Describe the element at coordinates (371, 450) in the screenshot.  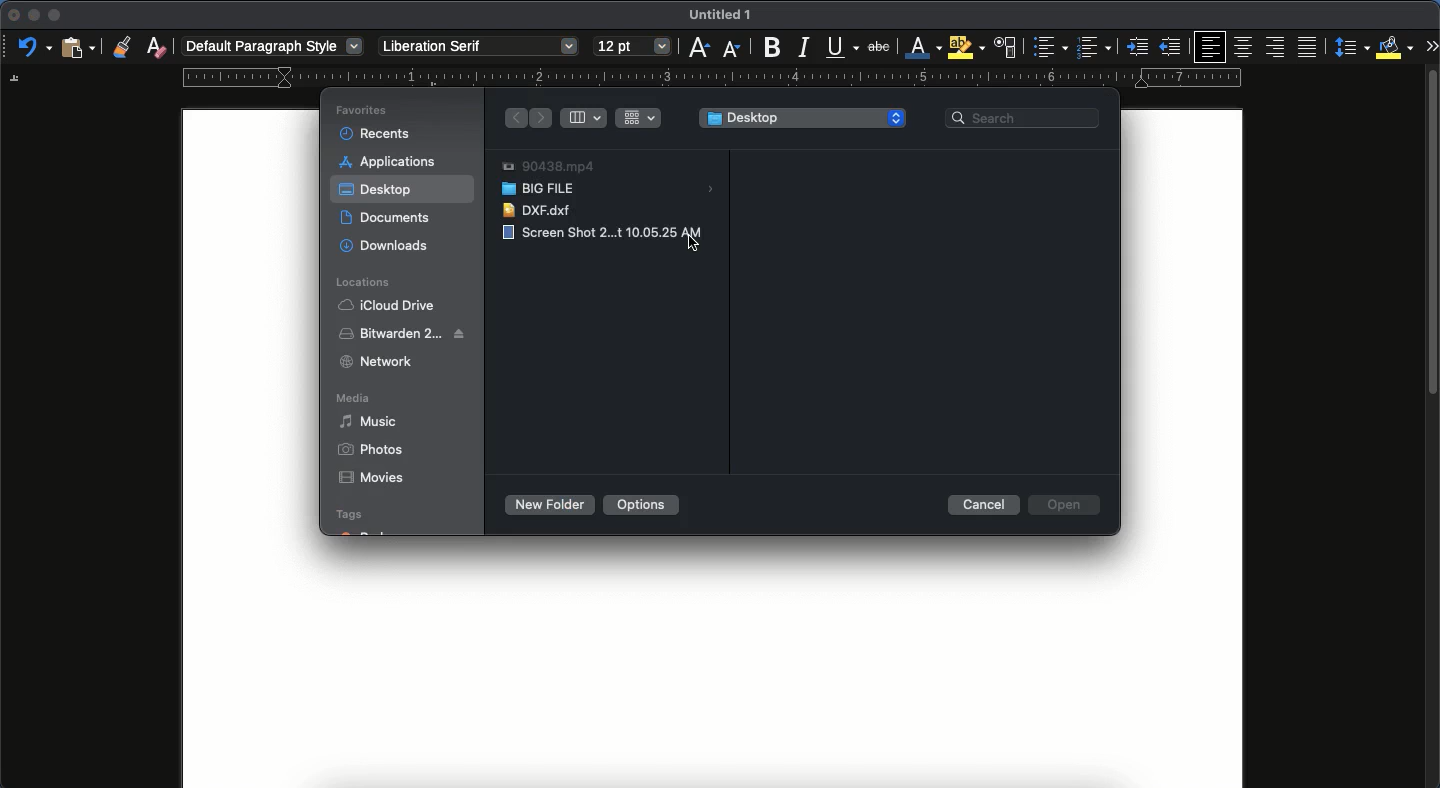
I see `photos` at that location.